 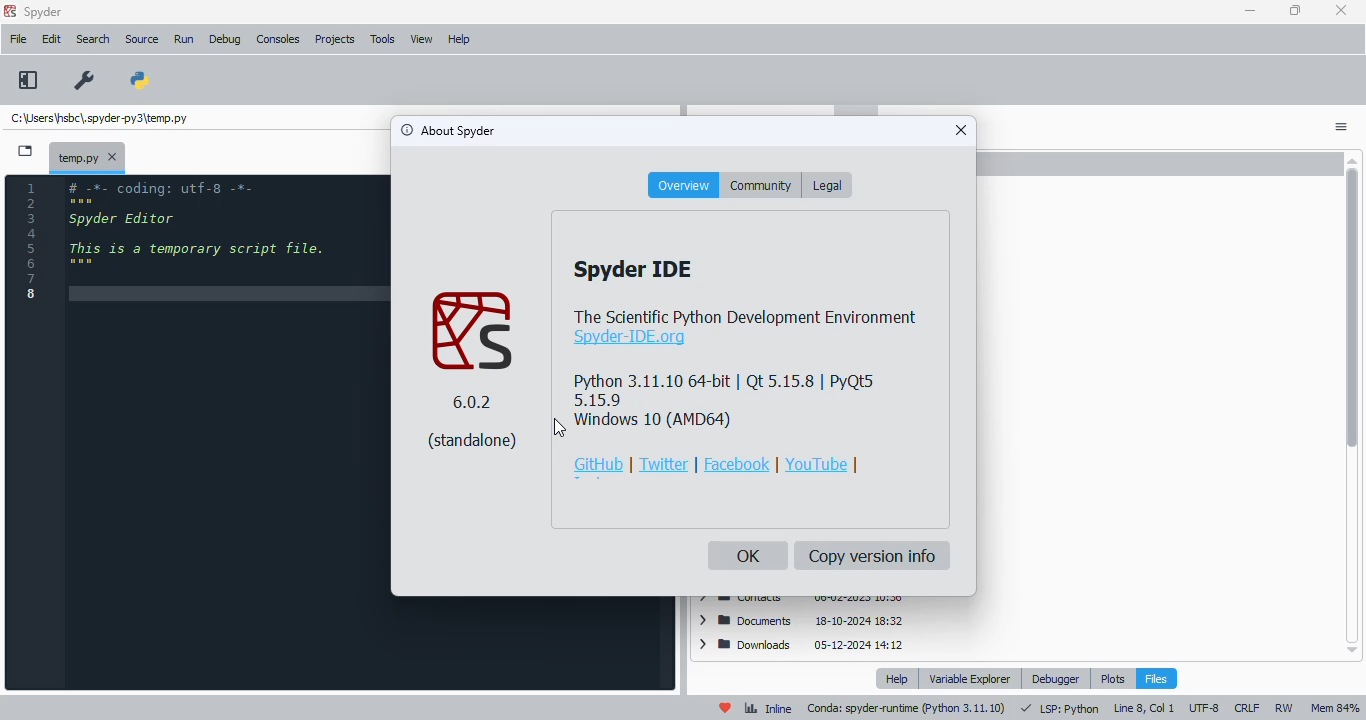 What do you see at coordinates (748, 556) in the screenshot?
I see `OK` at bounding box center [748, 556].